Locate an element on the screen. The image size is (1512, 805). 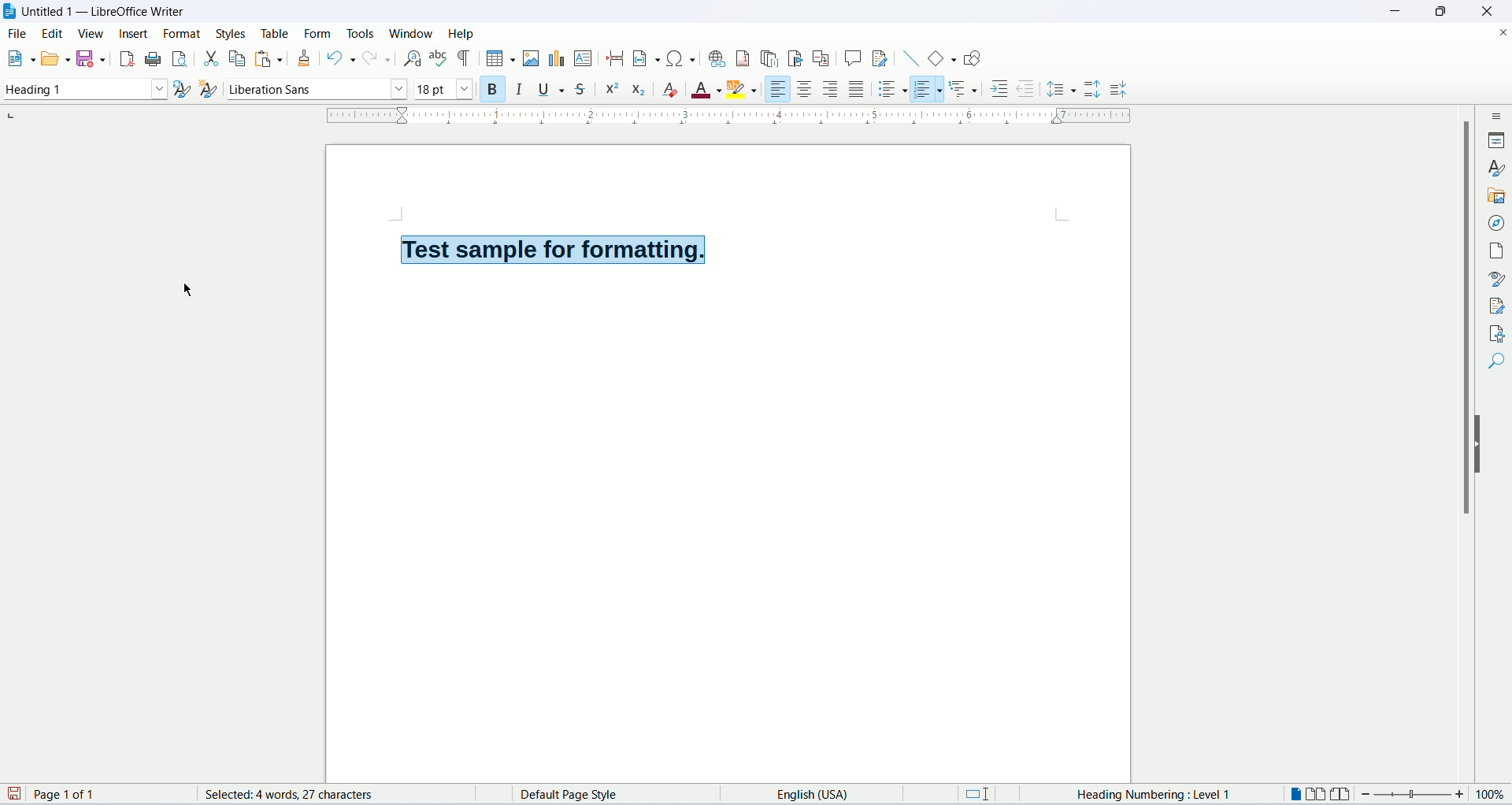
increase indent is located at coordinates (999, 91).